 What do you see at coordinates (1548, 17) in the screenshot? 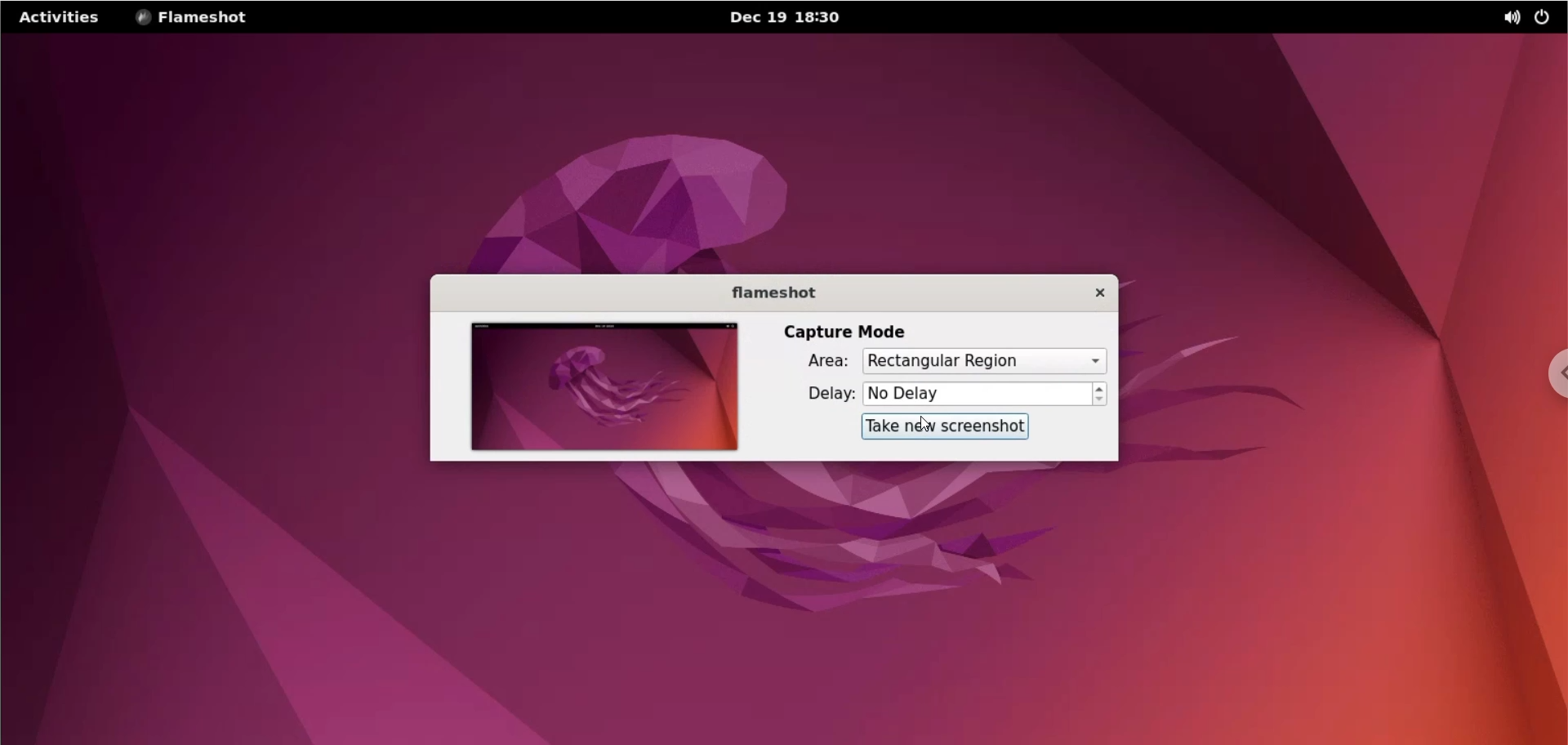
I see `power on/off settings` at bounding box center [1548, 17].